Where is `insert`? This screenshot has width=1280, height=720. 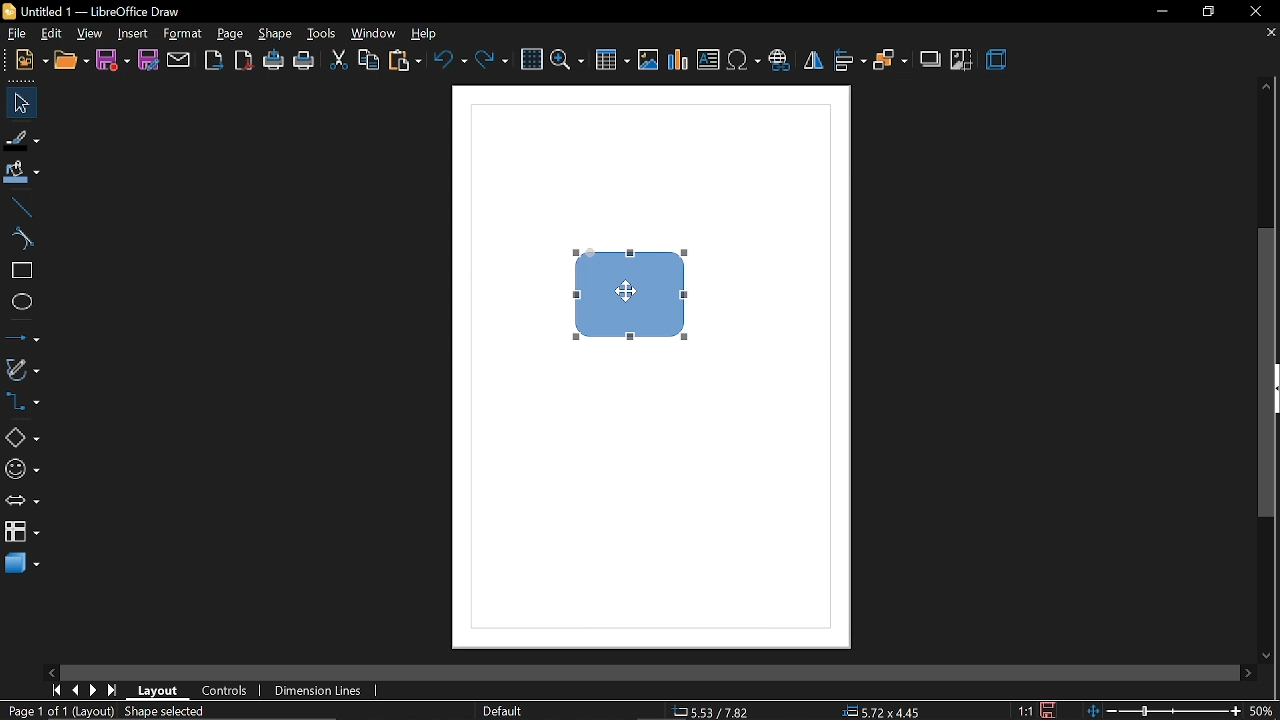 insert is located at coordinates (133, 35).